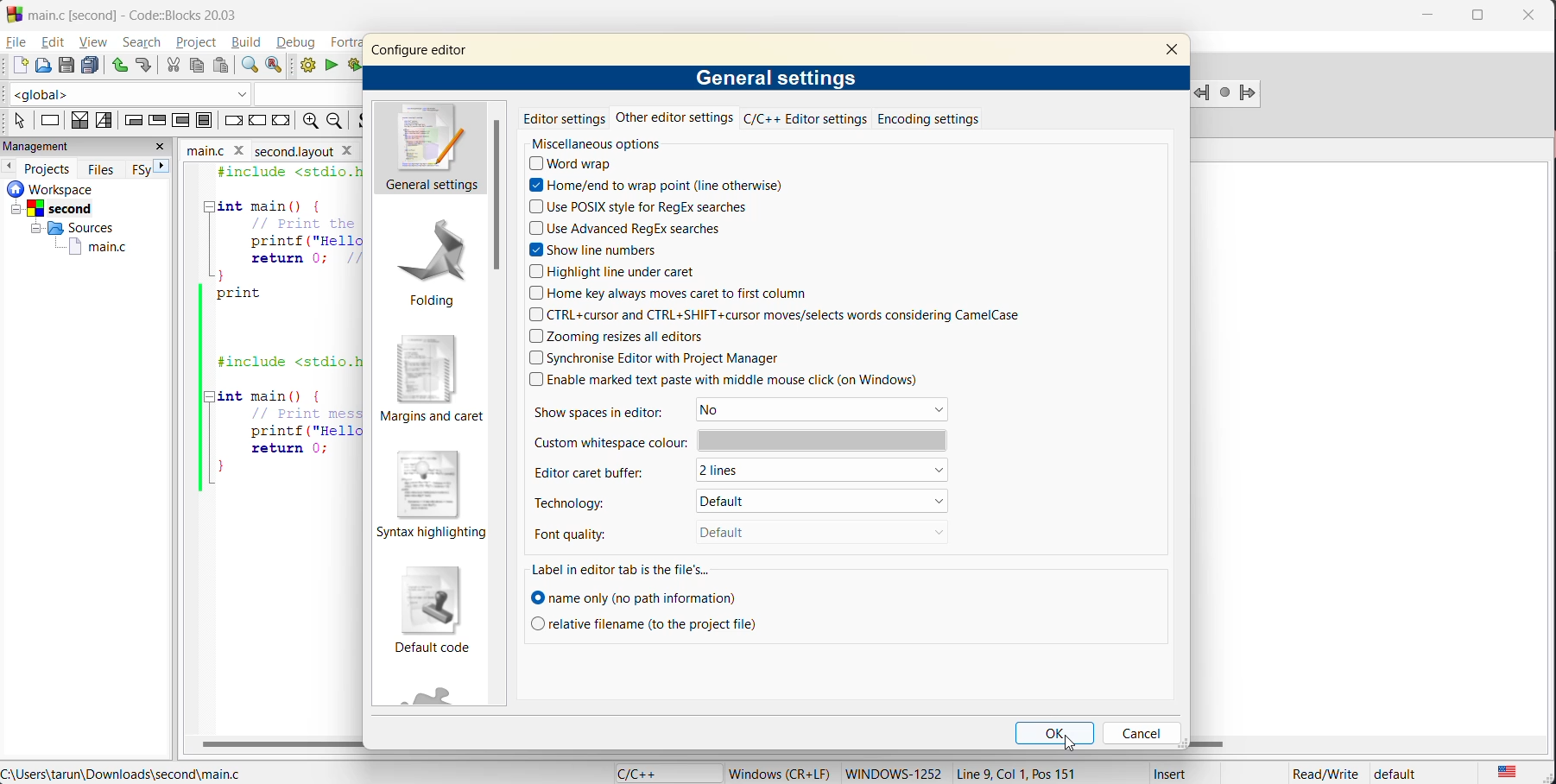 The image size is (1556, 784). Describe the element at coordinates (436, 612) in the screenshot. I see `default code` at that location.